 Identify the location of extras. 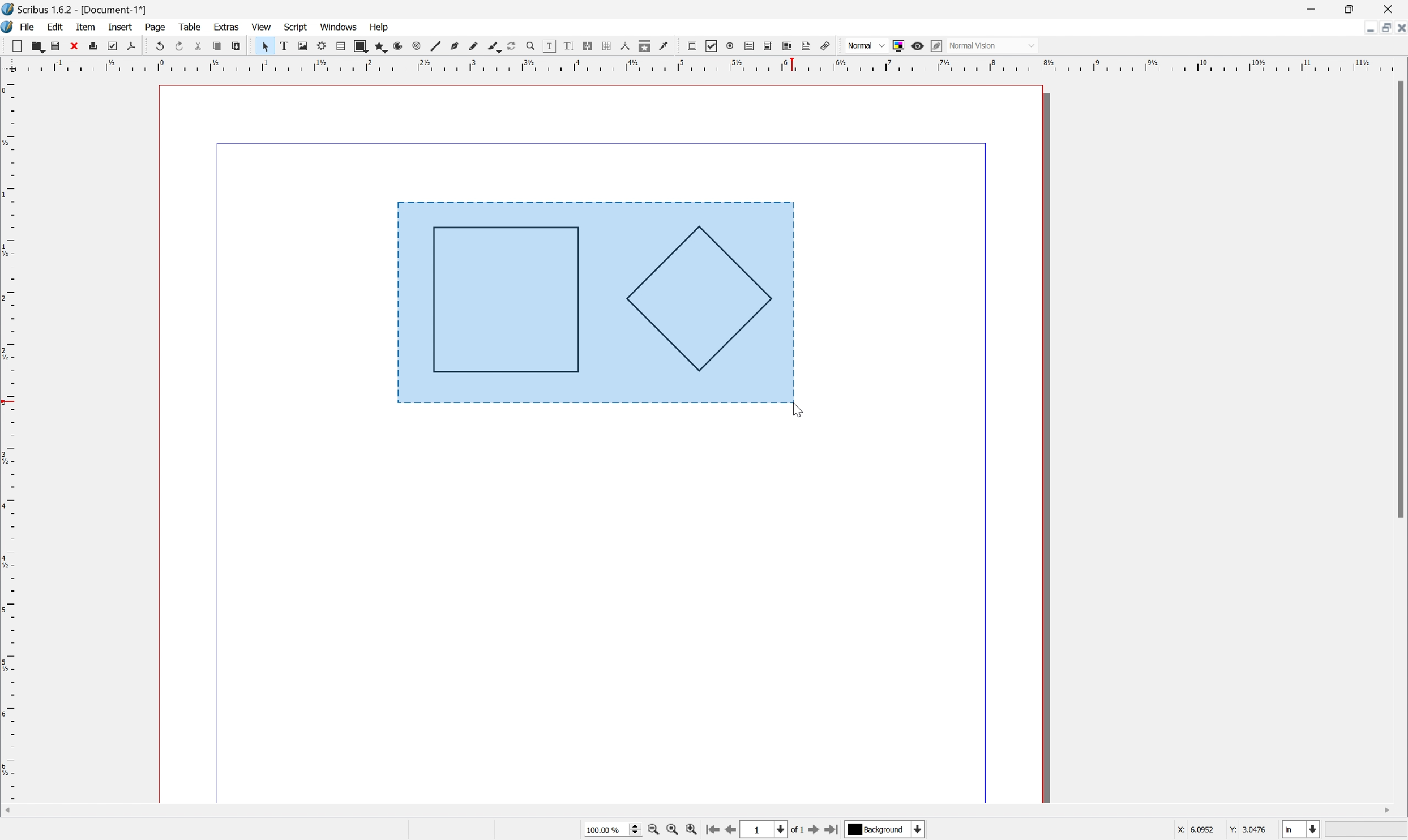
(226, 27).